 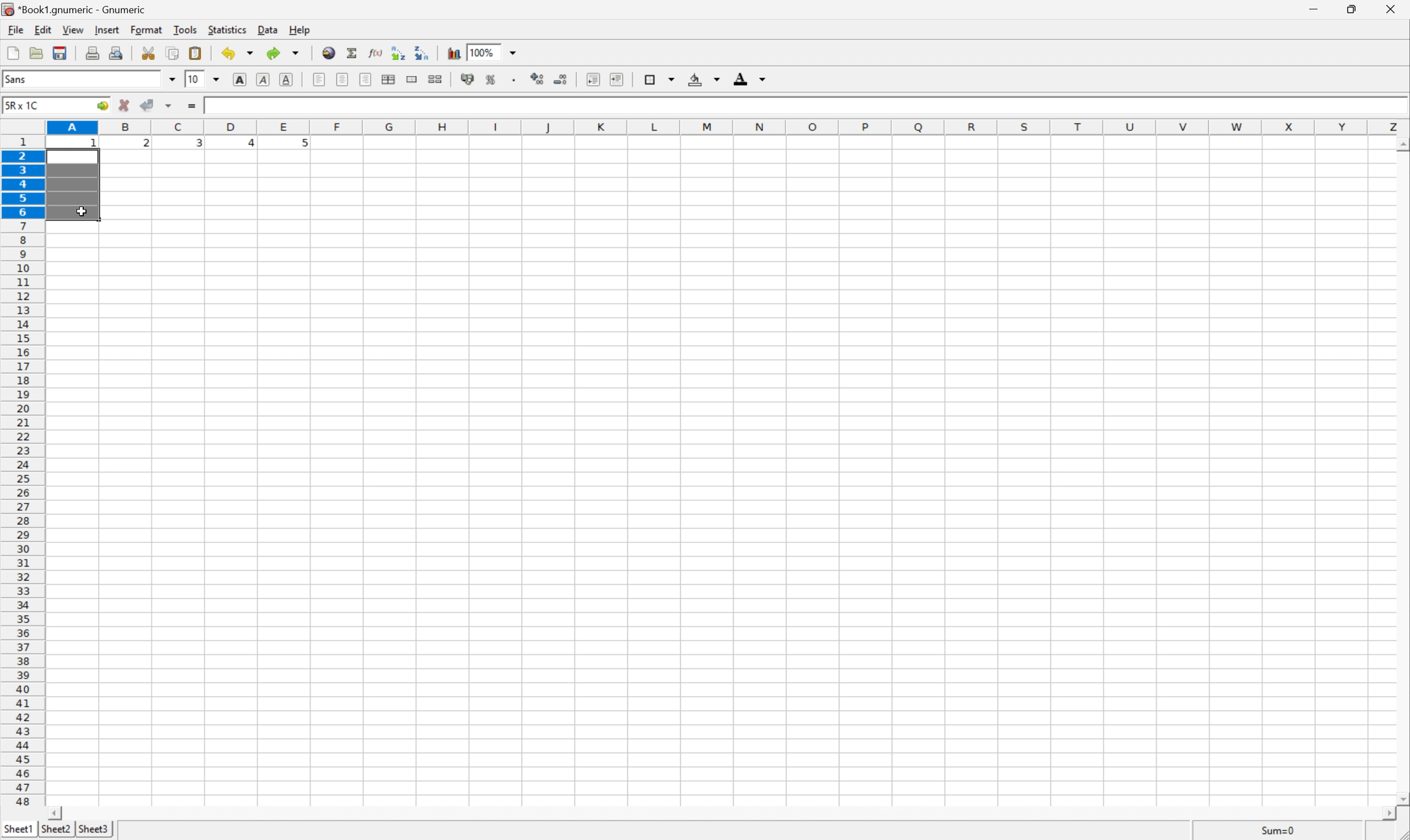 What do you see at coordinates (437, 78) in the screenshot?
I see `split merged ranges of cells` at bounding box center [437, 78].